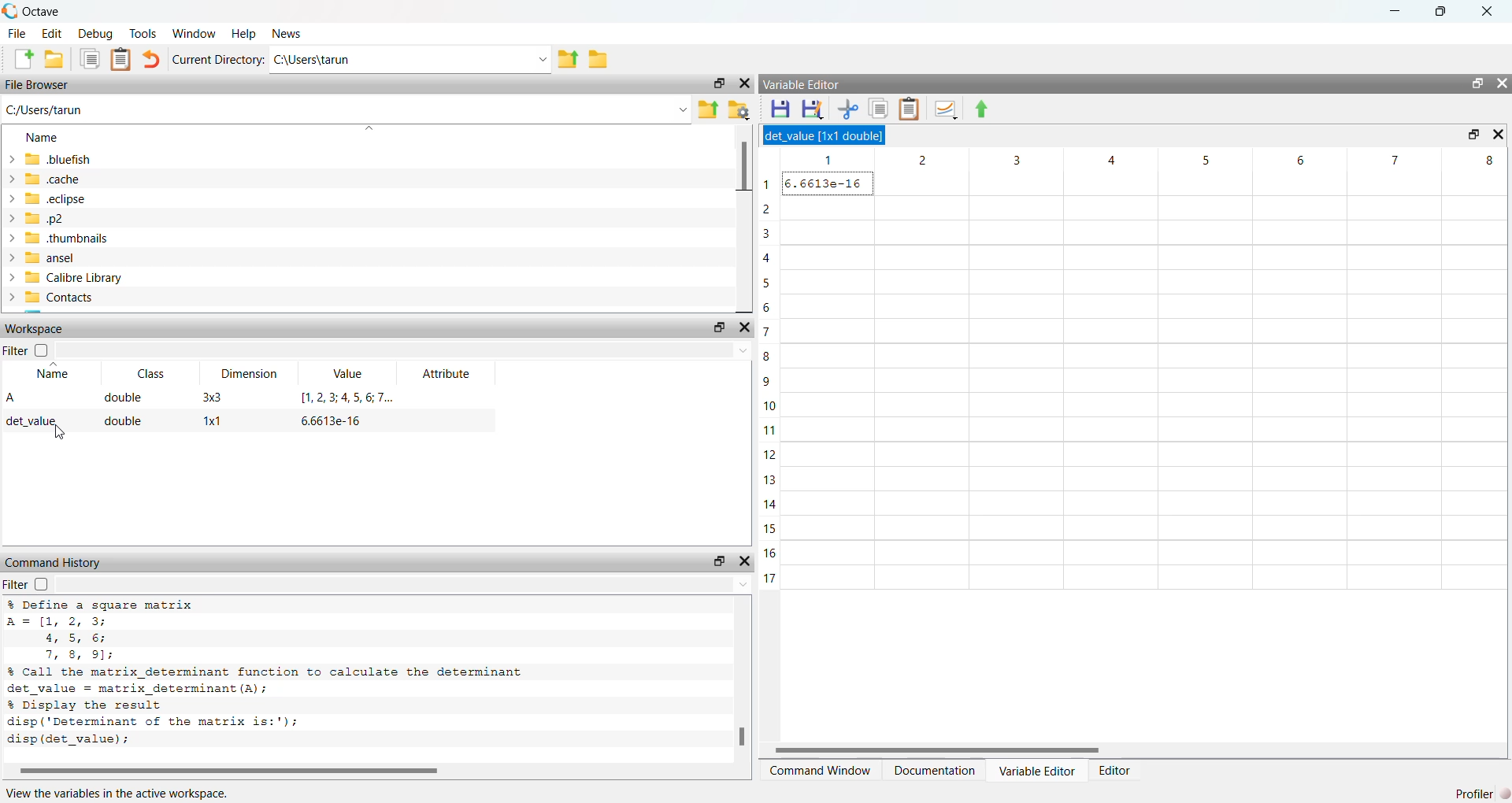 Image resolution: width=1512 pixels, height=803 pixels. I want to click on copy, so click(878, 109).